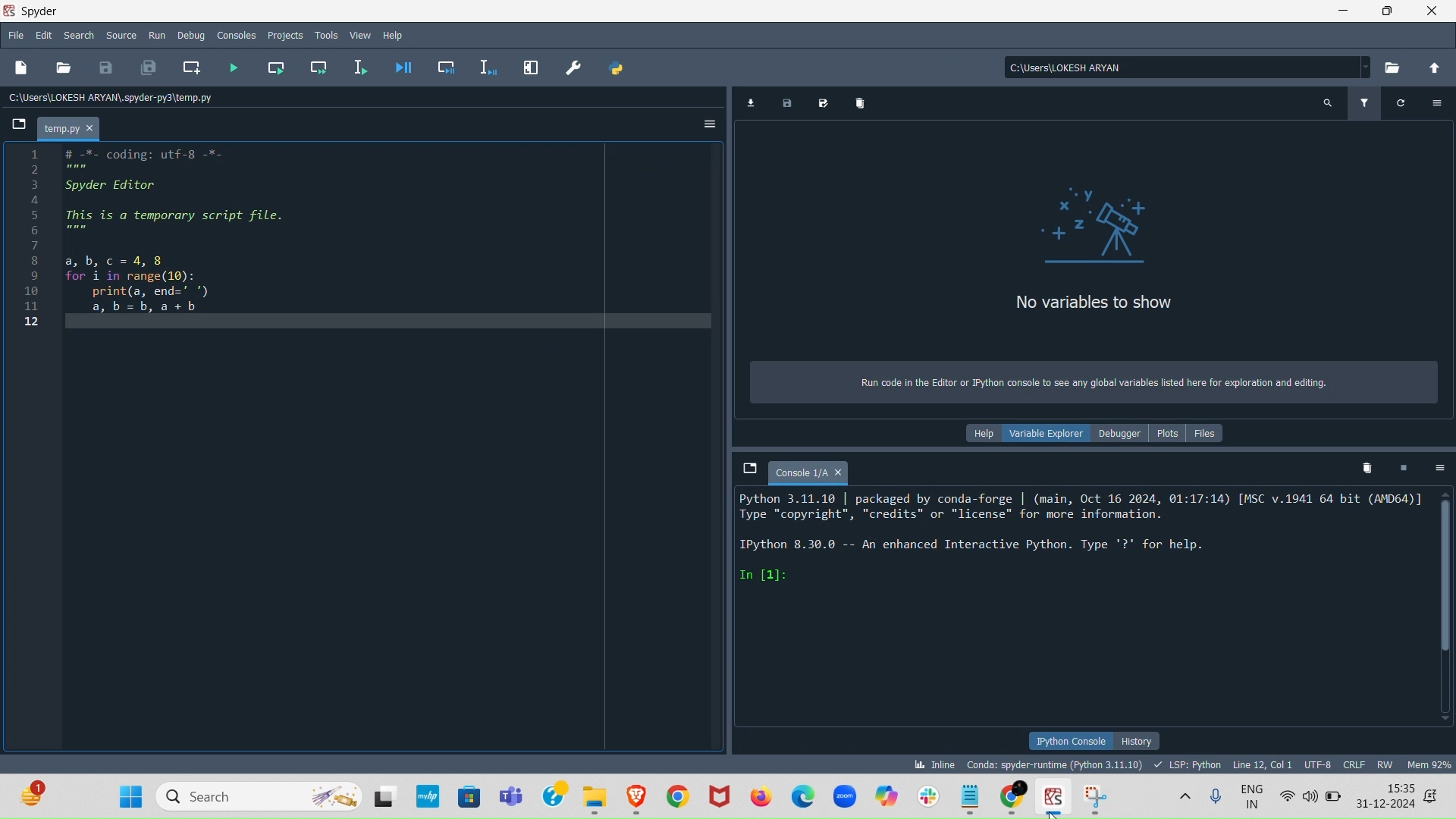 Image resolution: width=1456 pixels, height=819 pixels. Describe the element at coordinates (1084, 254) in the screenshot. I see `Variables` at that location.